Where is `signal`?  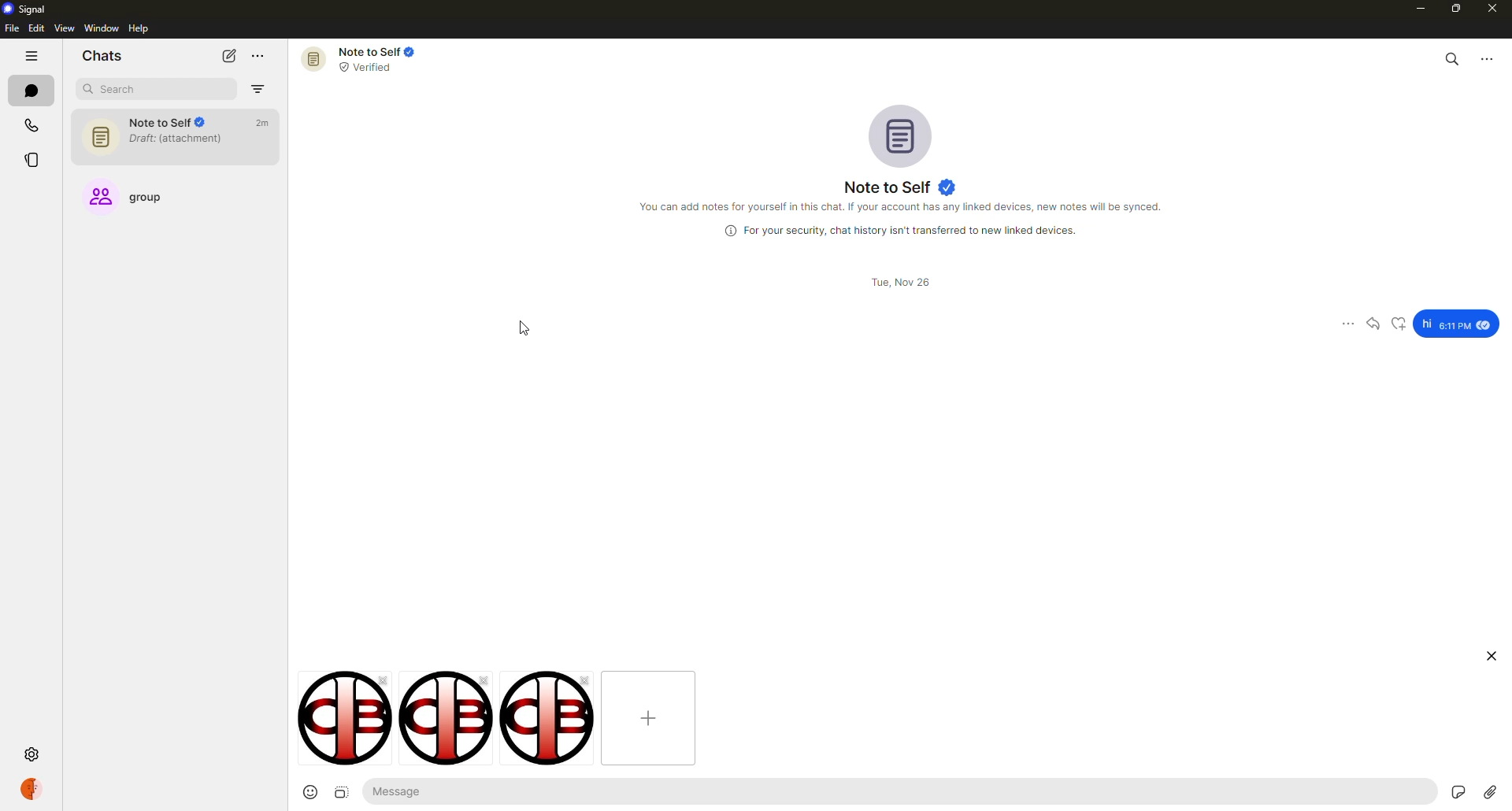 signal is located at coordinates (31, 10).